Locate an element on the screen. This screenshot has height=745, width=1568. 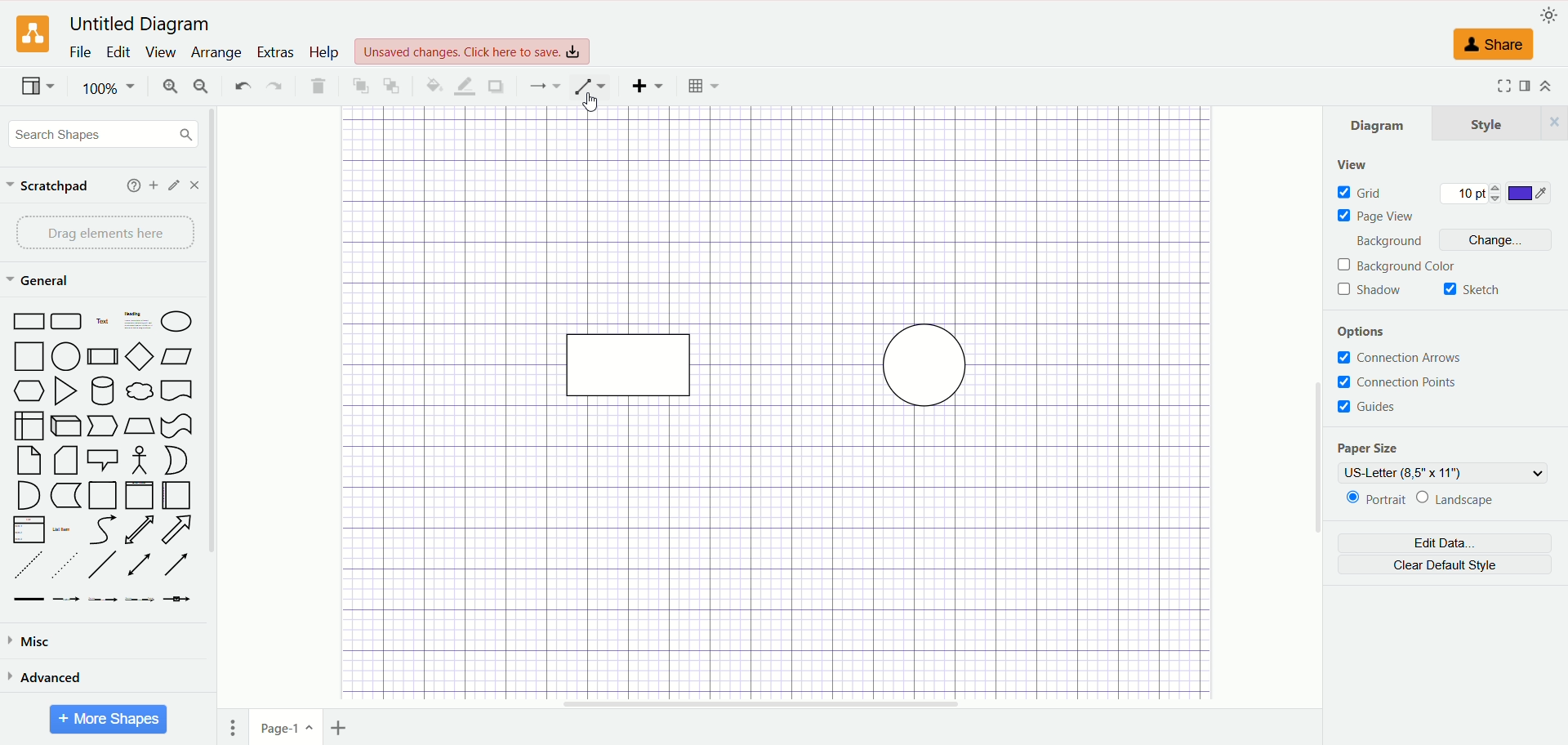
drag elements here is located at coordinates (105, 232).